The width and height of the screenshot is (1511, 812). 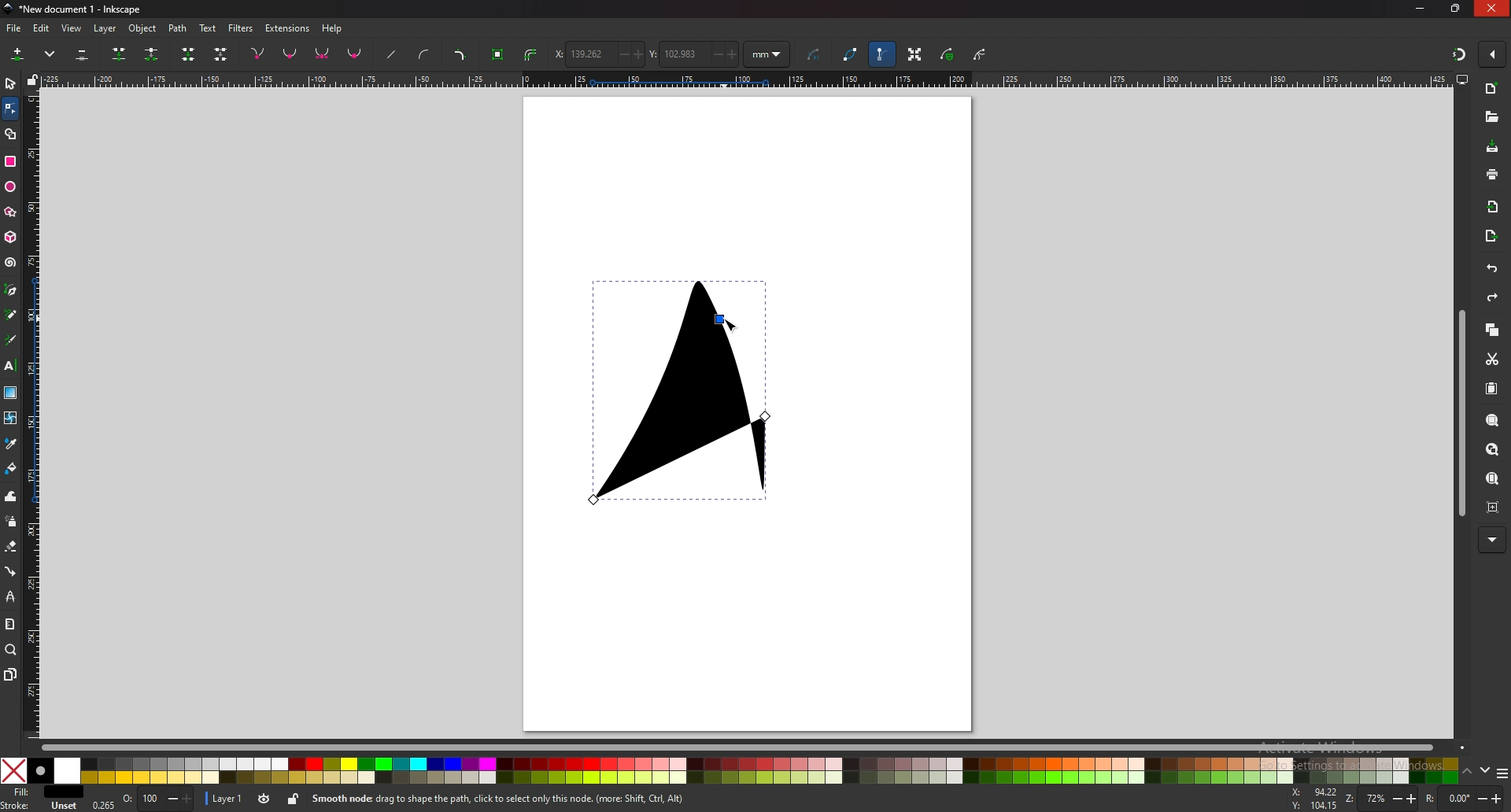 What do you see at coordinates (10, 443) in the screenshot?
I see `dropper` at bounding box center [10, 443].